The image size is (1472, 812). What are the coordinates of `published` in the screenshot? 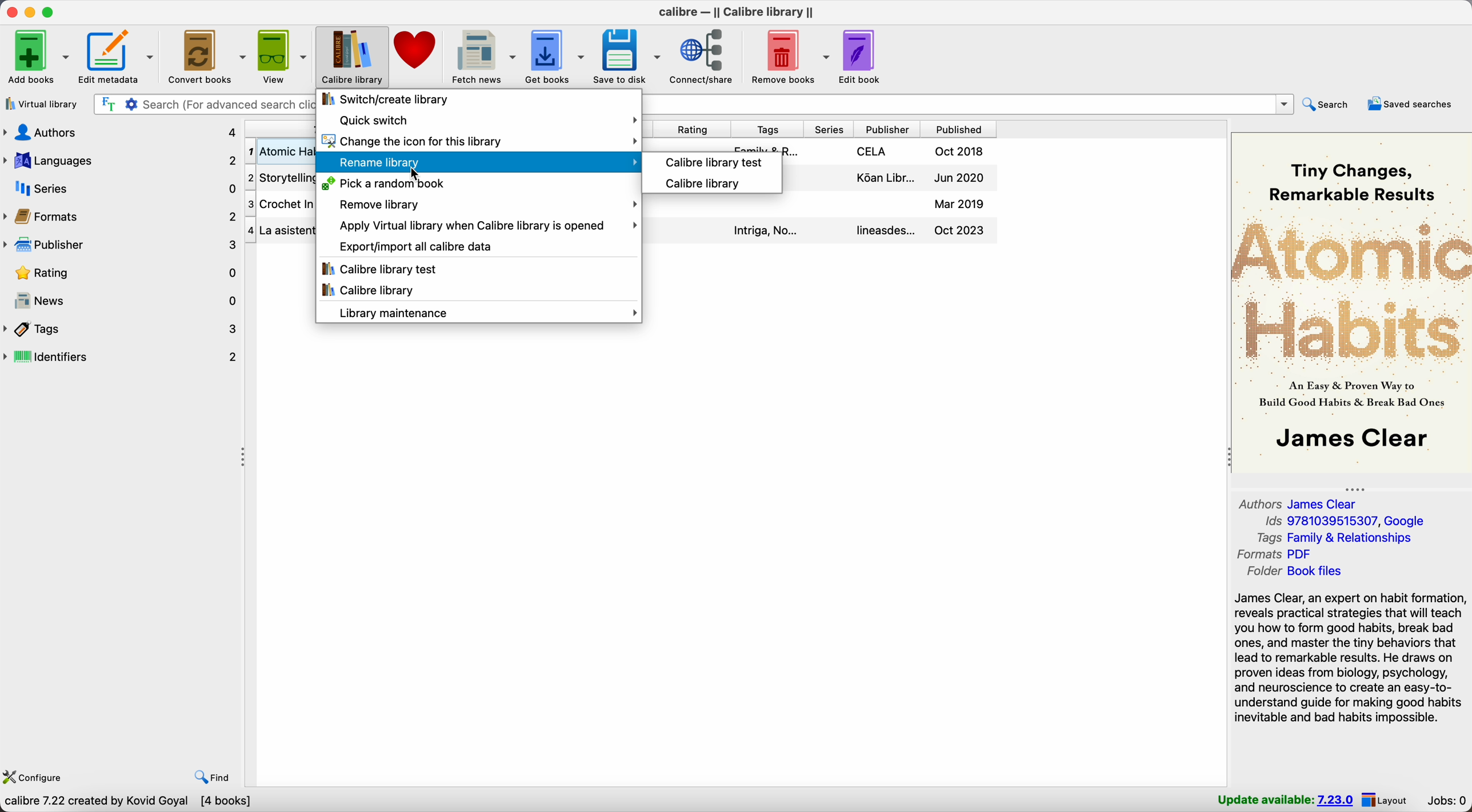 It's located at (958, 130).